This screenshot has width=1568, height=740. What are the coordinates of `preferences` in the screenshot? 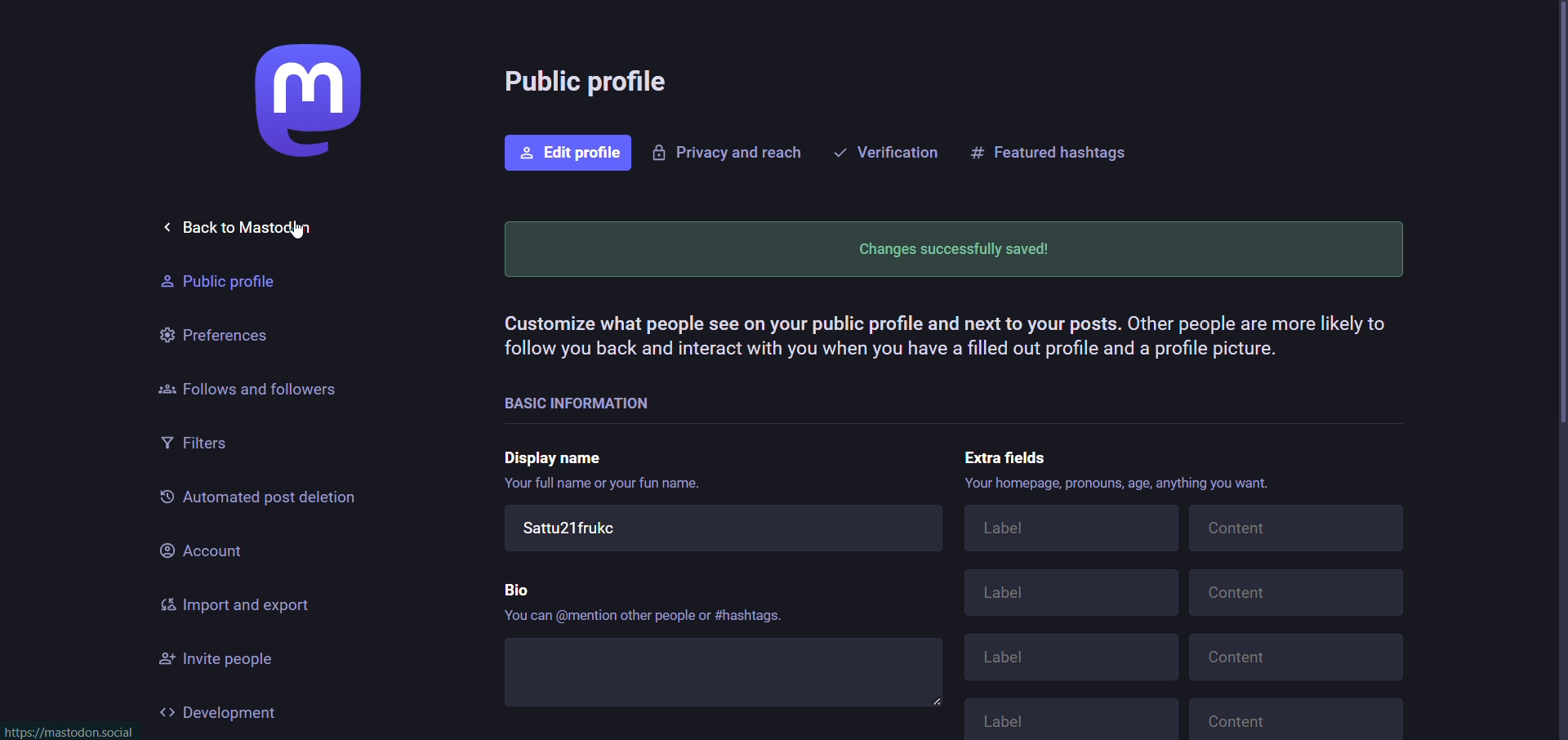 It's located at (215, 332).